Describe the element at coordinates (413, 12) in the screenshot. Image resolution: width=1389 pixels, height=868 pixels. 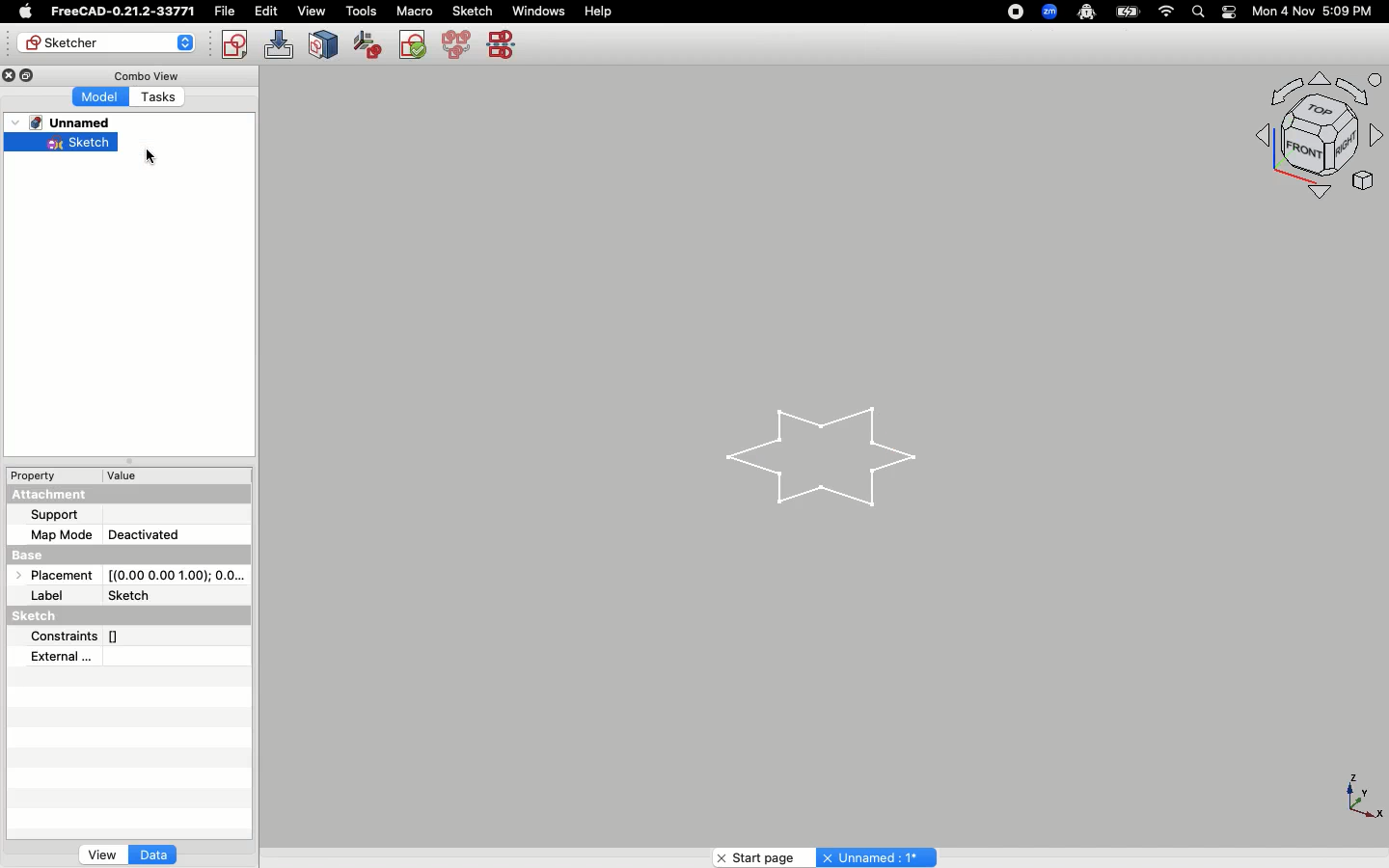
I see `Macro` at that location.